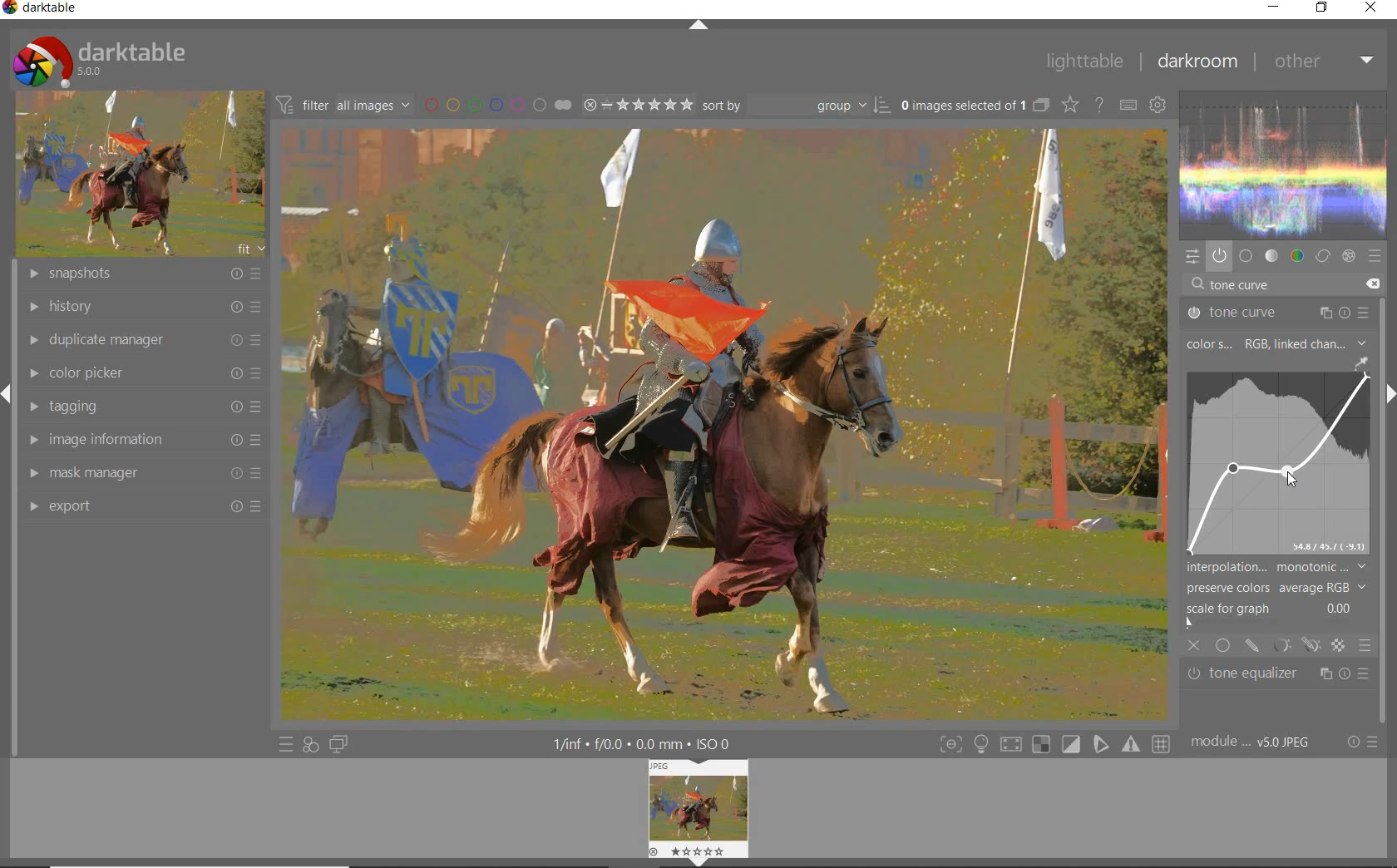 This screenshot has width=1397, height=868. Describe the element at coordinates (339, 743) in the screenshot. I see `display a second darkroom image widow` at that location.